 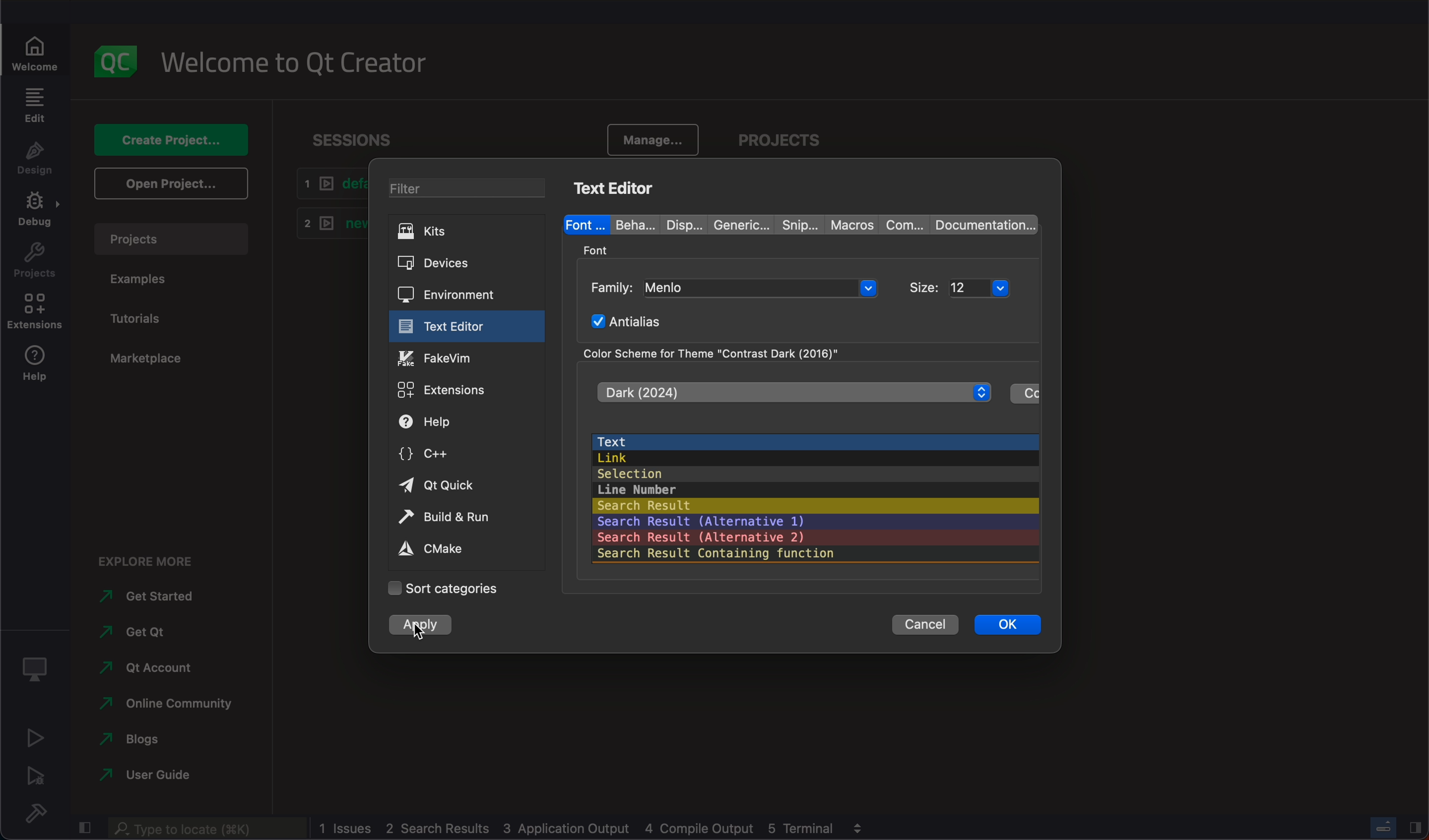 I want to click on apply, so click(x=418, y=626).